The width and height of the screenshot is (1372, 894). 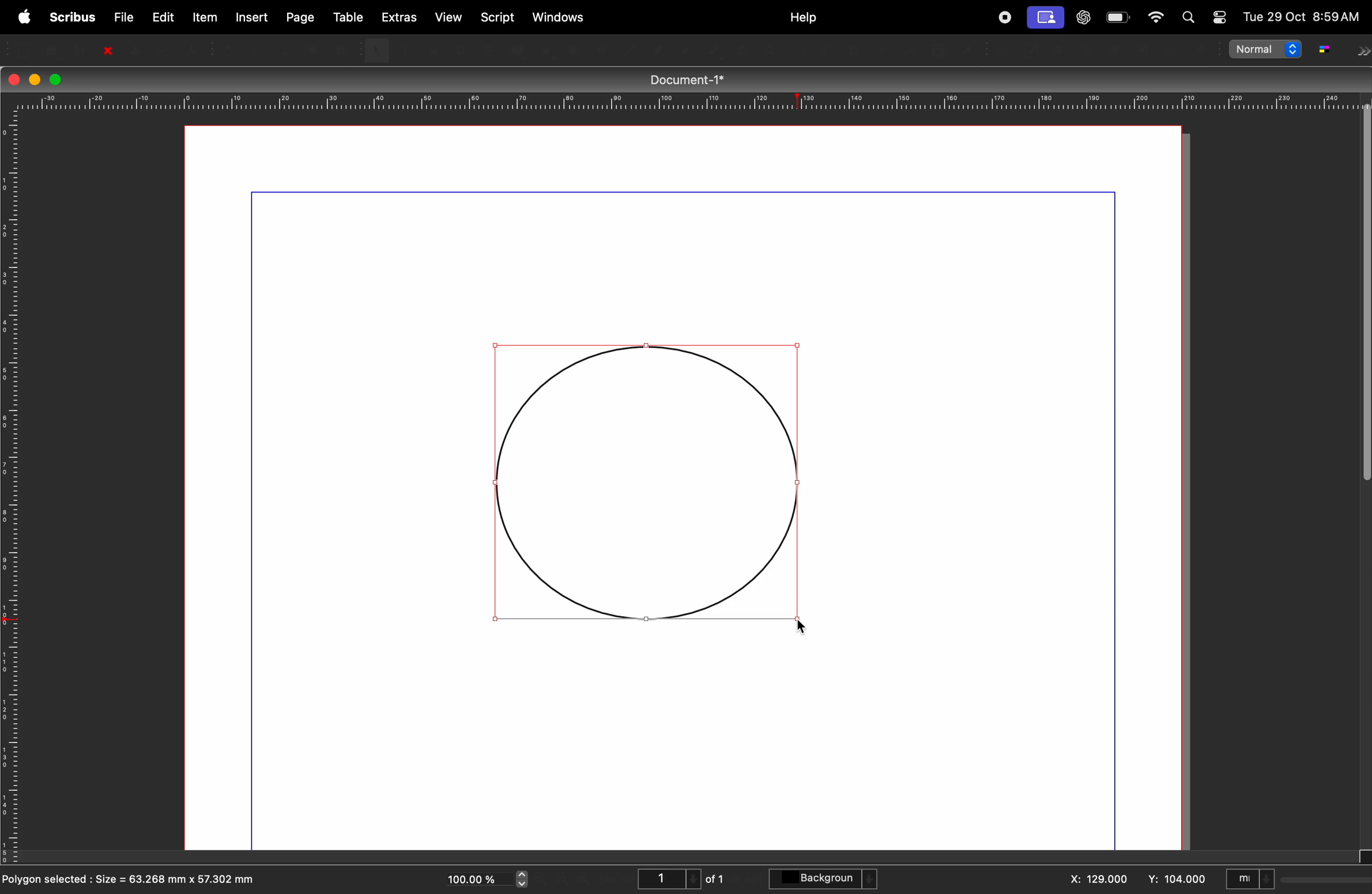 What do you see at coordinates (141, 881) in the screenshot?
I see `polygon selected : Size = 63.268 mm x 57.302 mm` at bounding box center [141, 881].